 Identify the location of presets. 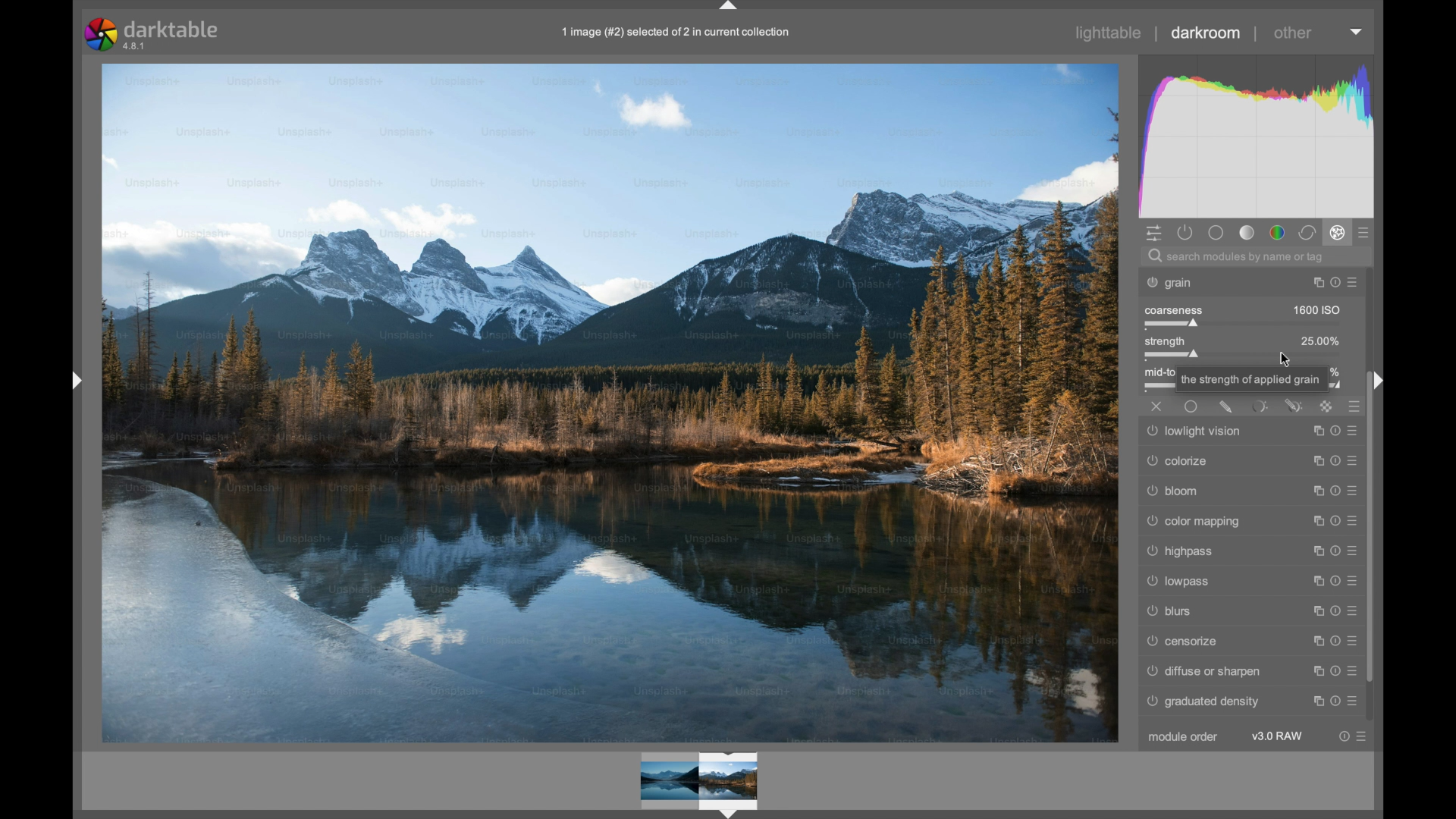
(1356, 431).